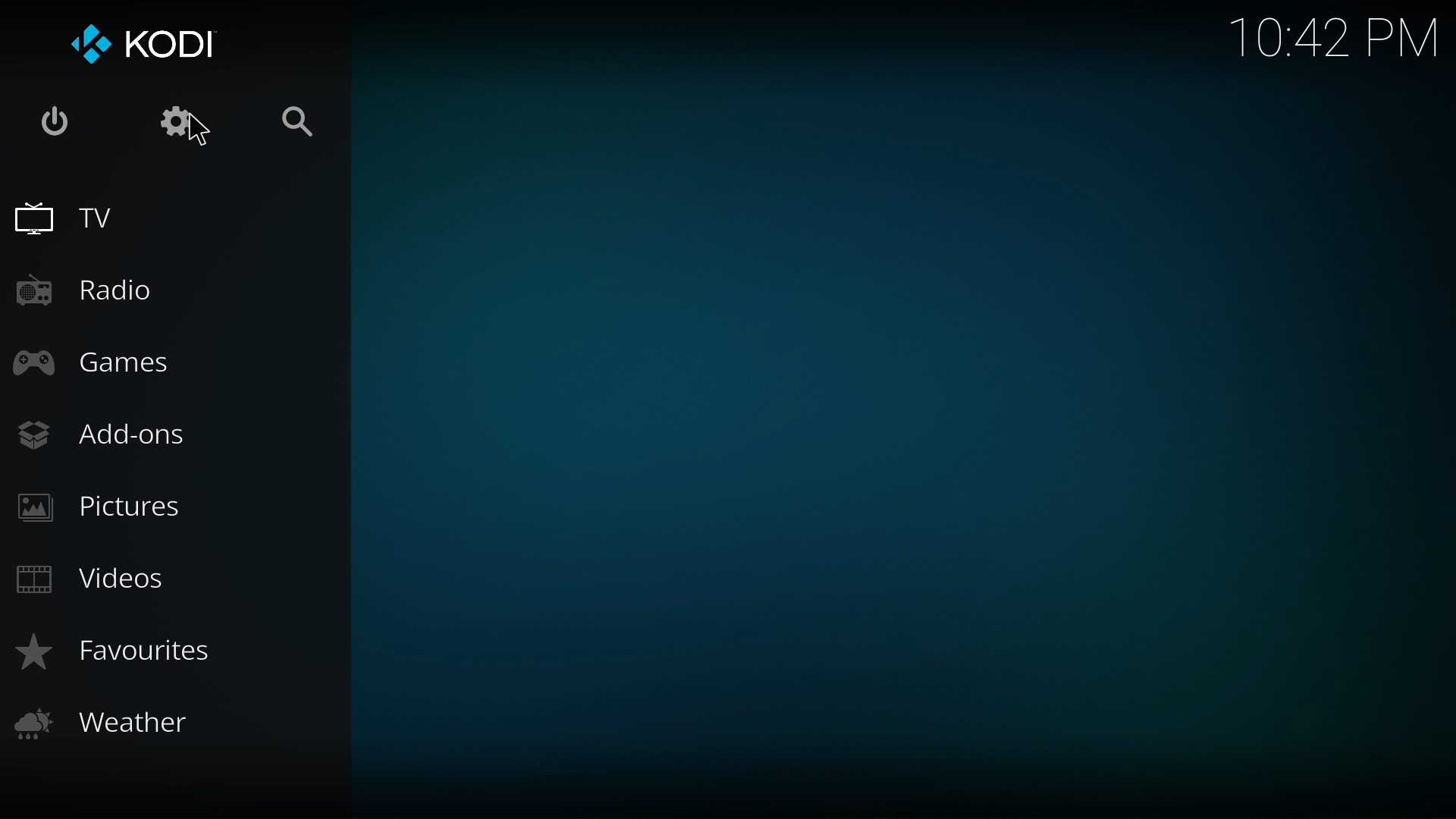 Image resolution: width=1456 pixels, height=819 pixels. Describe the element at coordinates (95, 300) in the screenshot. I see `radio` at that location.